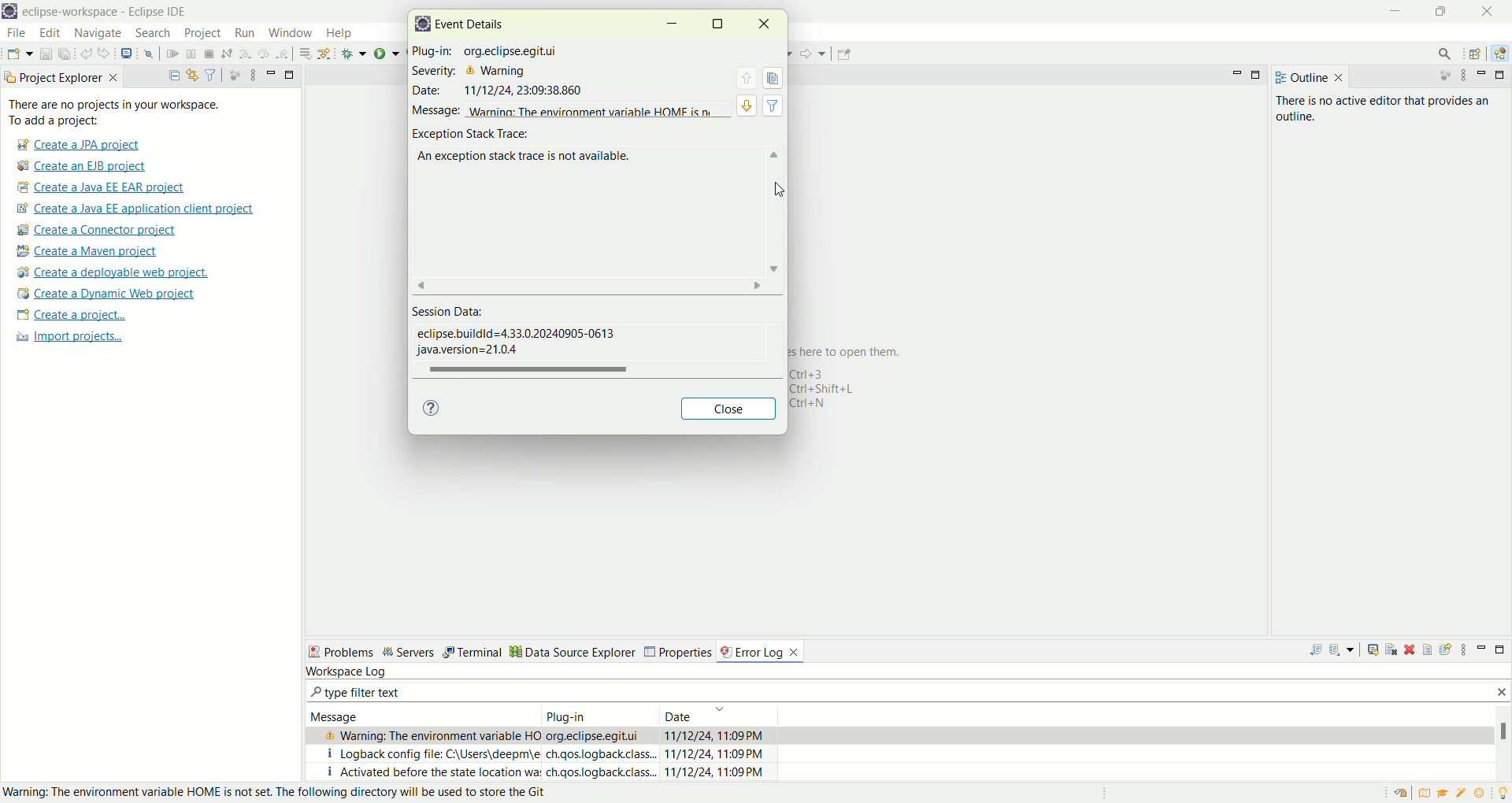  I want to click on Terminal, so click(471, 650).